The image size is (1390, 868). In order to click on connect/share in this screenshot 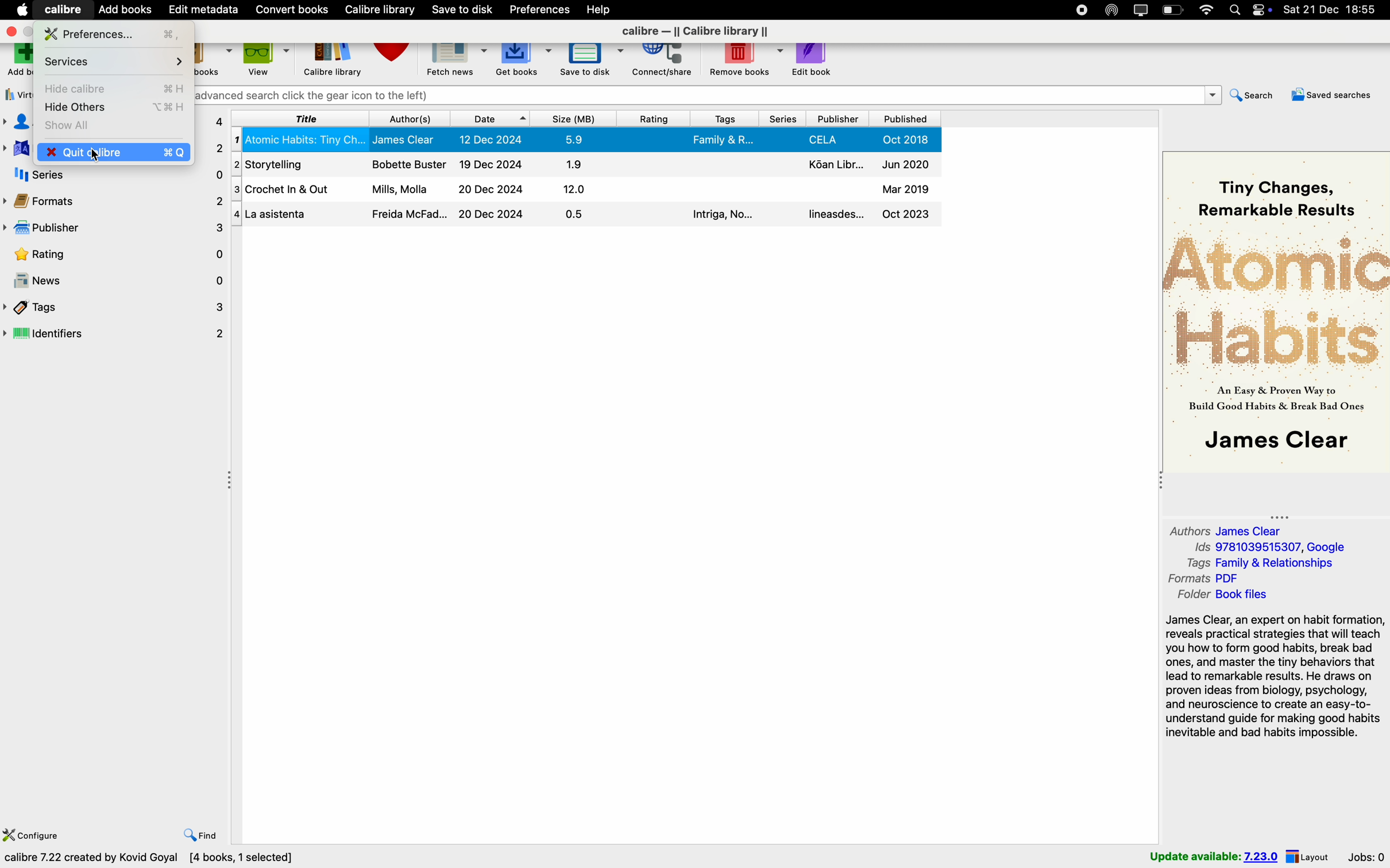, I will do `click(662, 62)`.